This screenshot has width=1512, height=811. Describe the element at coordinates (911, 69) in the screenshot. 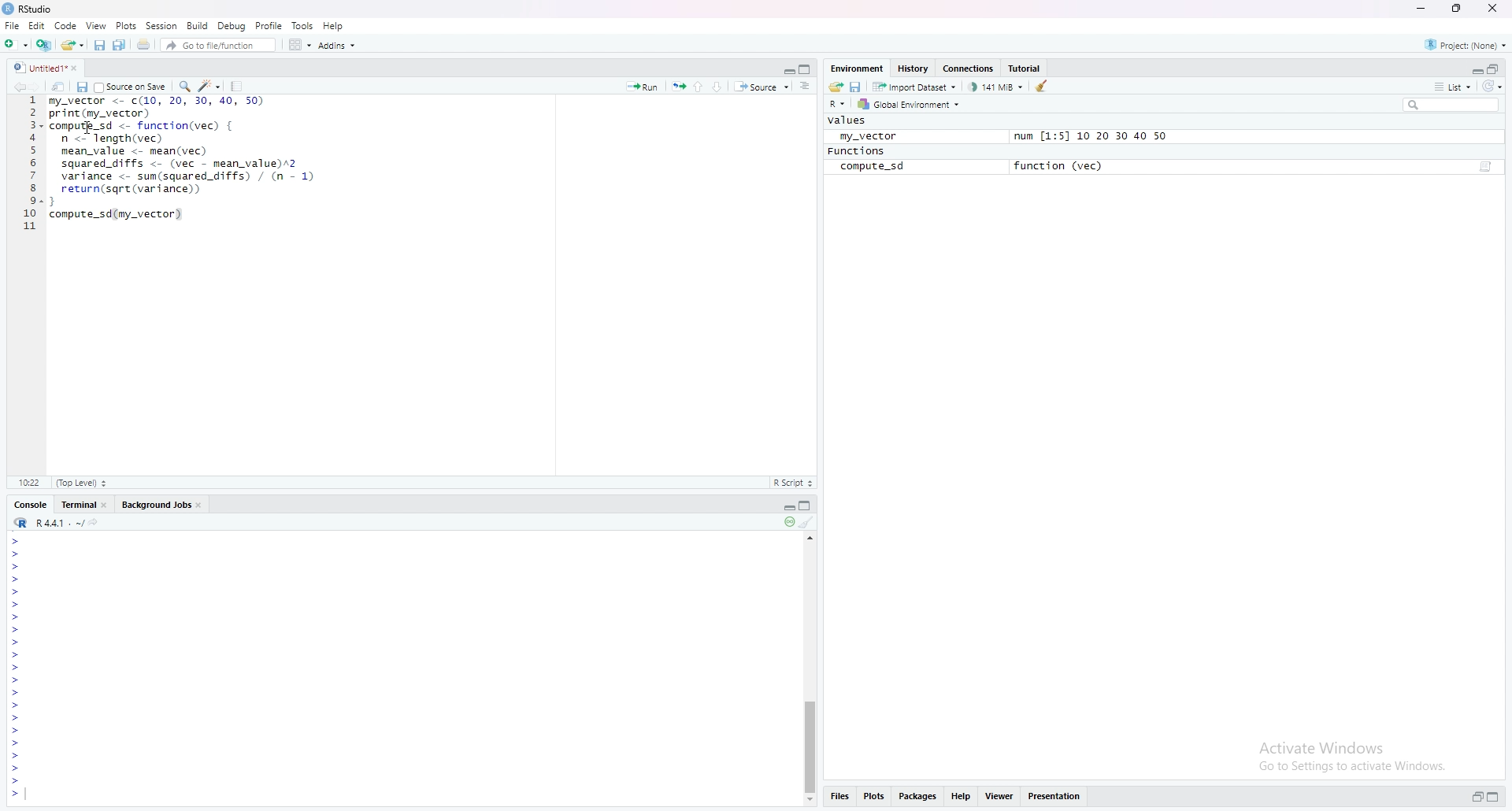

I see `History` at that location.